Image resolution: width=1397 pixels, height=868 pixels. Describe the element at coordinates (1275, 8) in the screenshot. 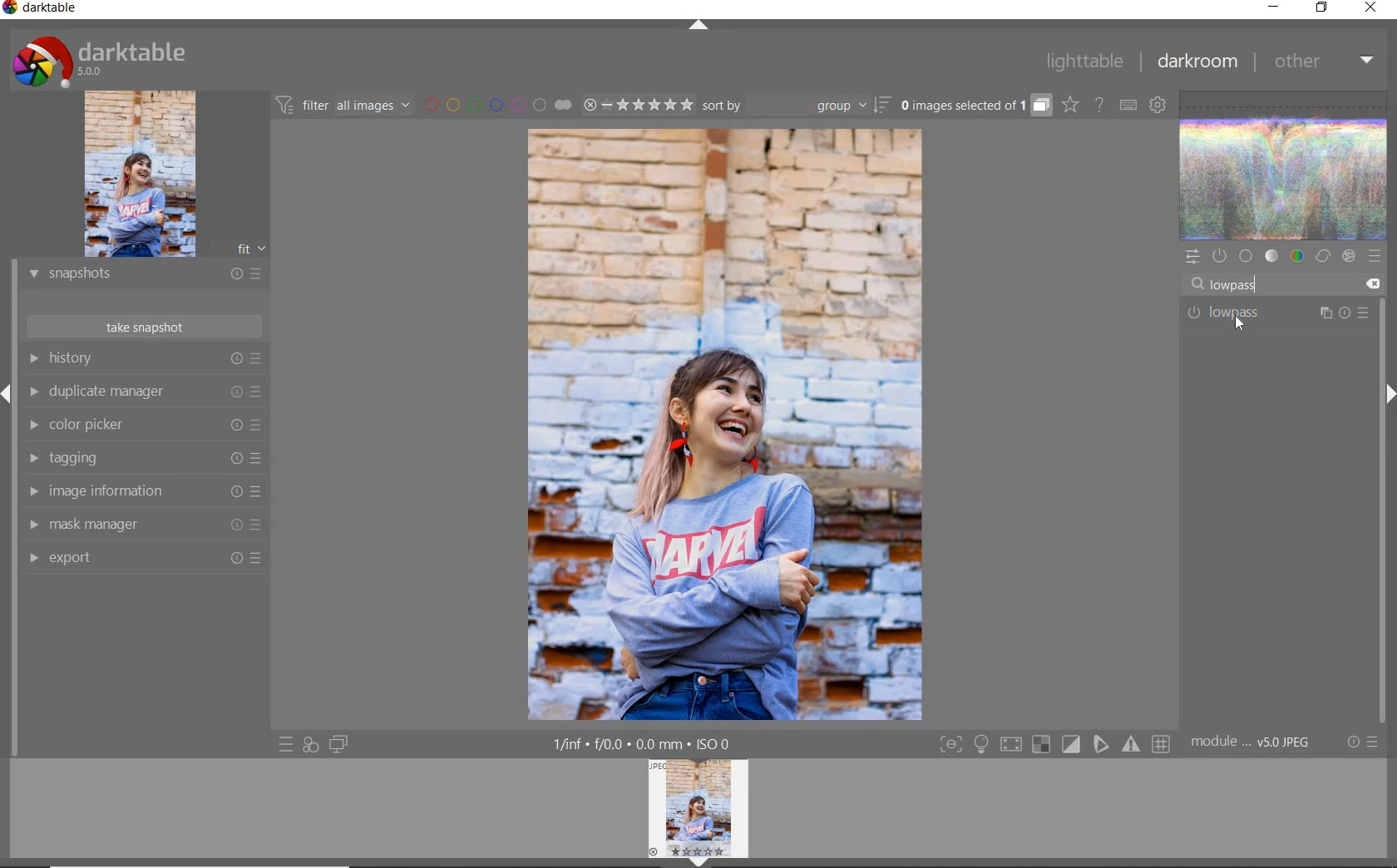

I see `minimize` at that location.